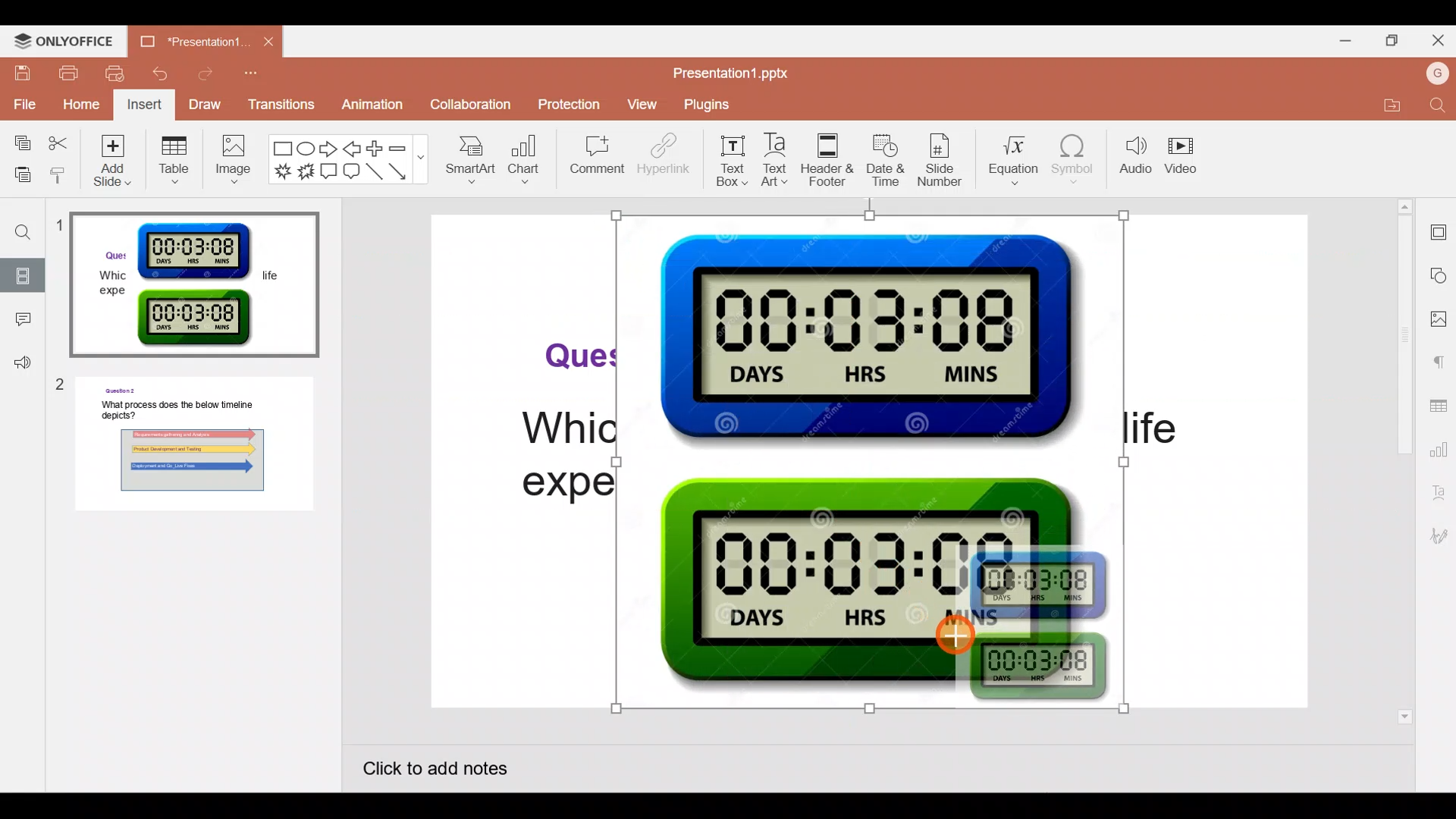 This screenshot has height=819, width=1456. Describe the element at coordinates (378, 149) in the screenshot. I see `Plus` at that location.